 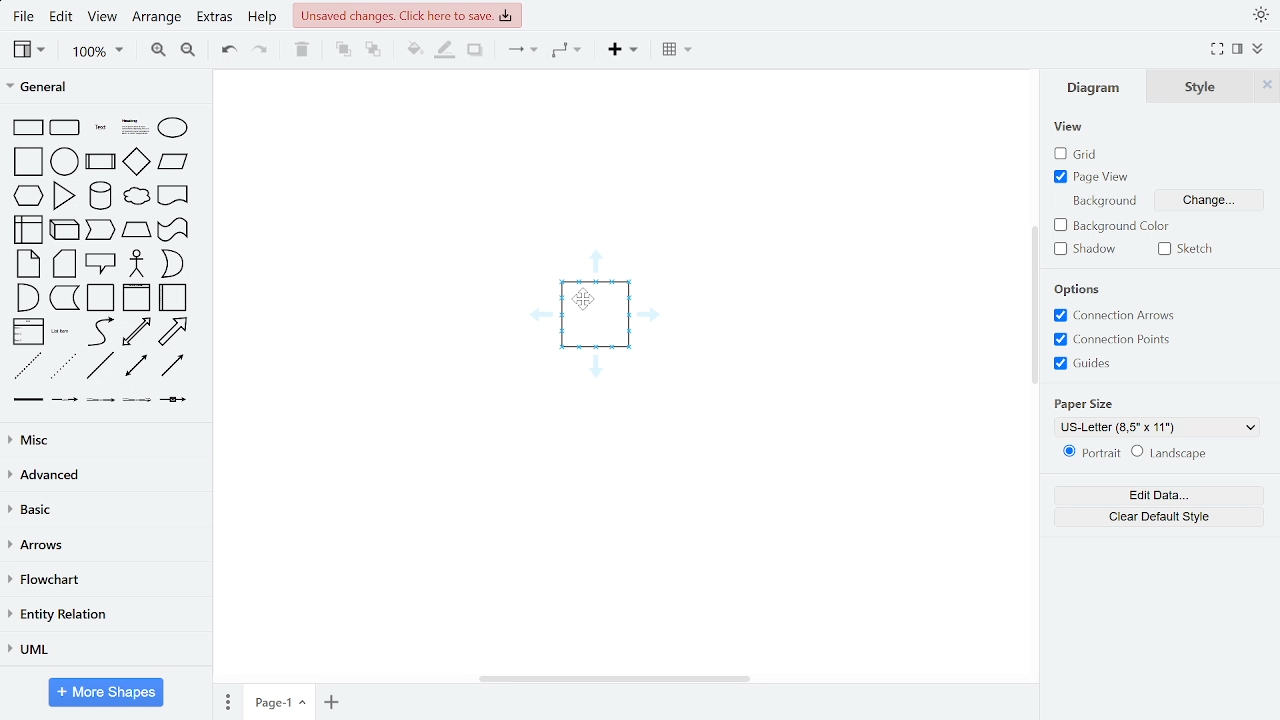 I want to click on general shapes, so click(x=61, y=366).